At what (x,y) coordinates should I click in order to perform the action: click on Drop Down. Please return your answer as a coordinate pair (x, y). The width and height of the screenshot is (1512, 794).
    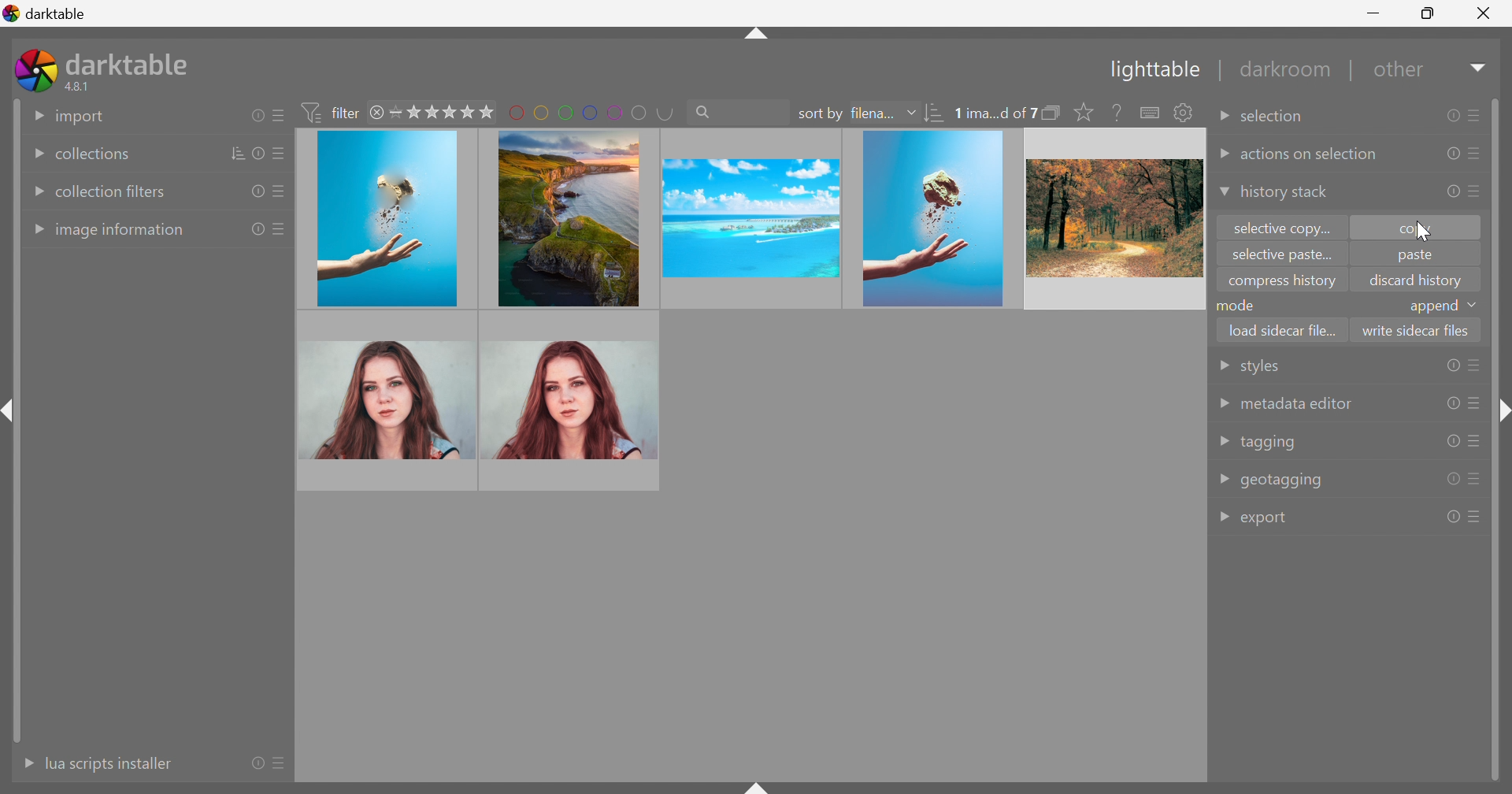
    Looking at the image, I should click on (1222, 154).